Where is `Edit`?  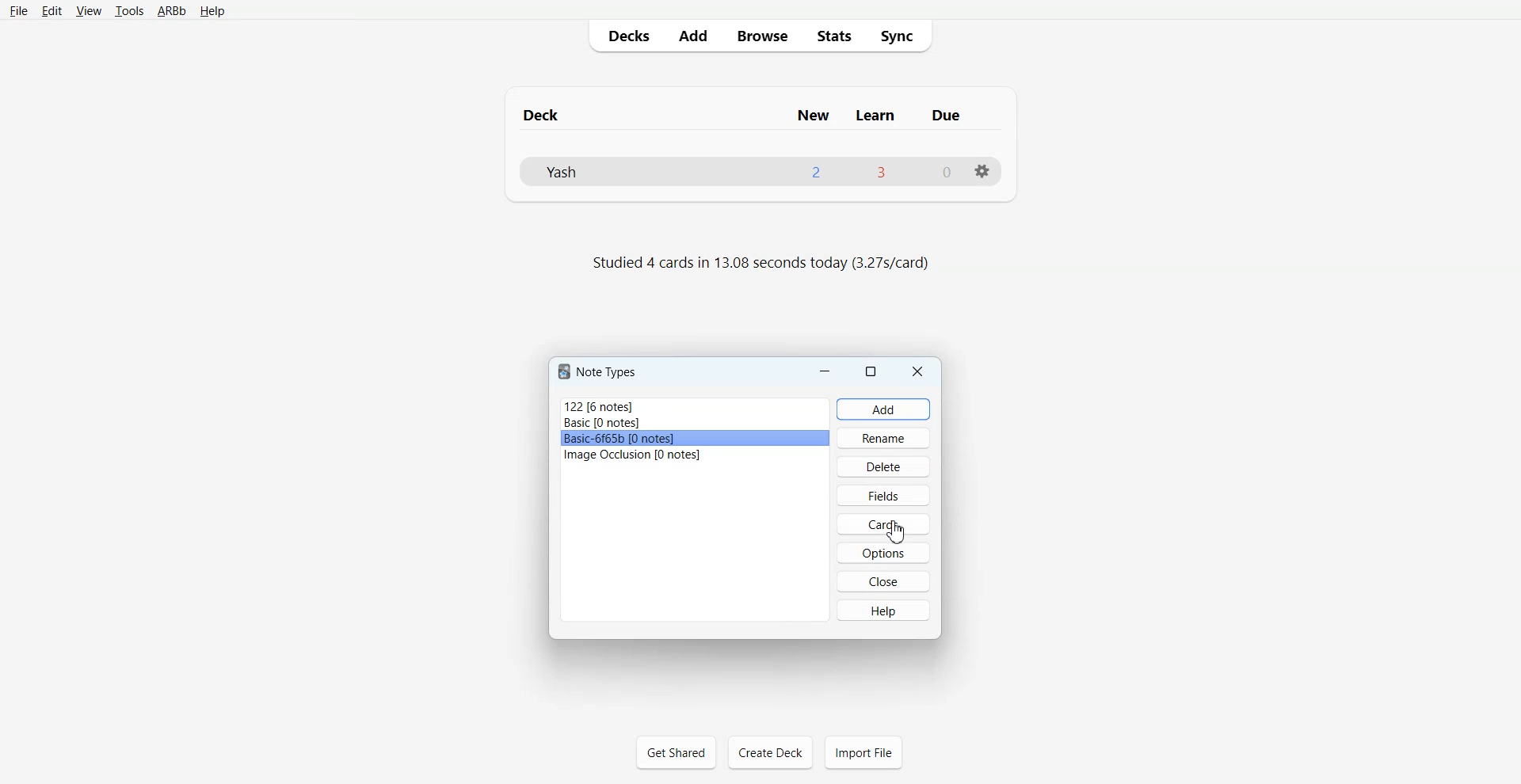
Edit is located at coordinates (51, 10).